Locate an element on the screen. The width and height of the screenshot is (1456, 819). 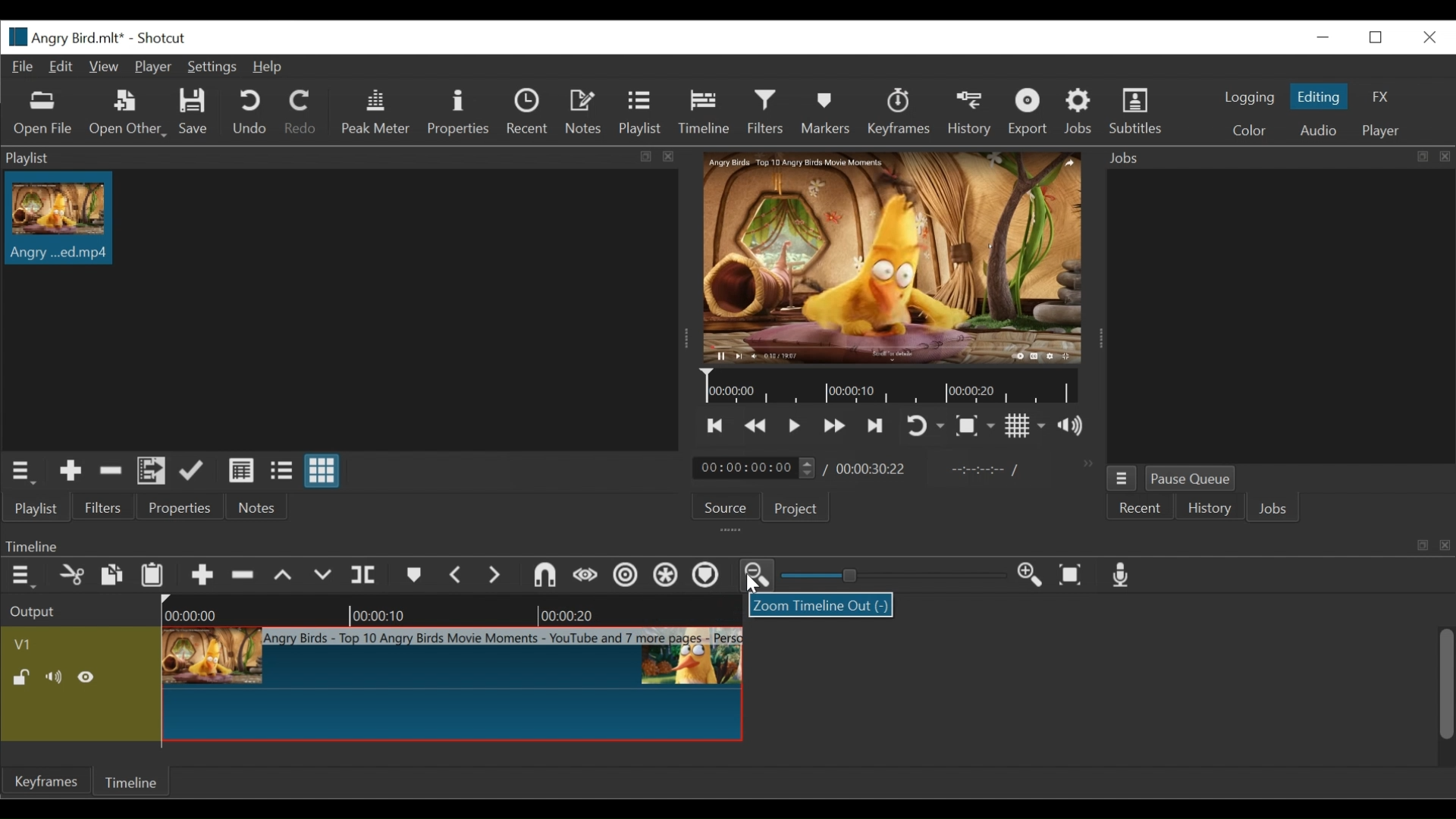
Cursor is located at coordinates (752, 585).